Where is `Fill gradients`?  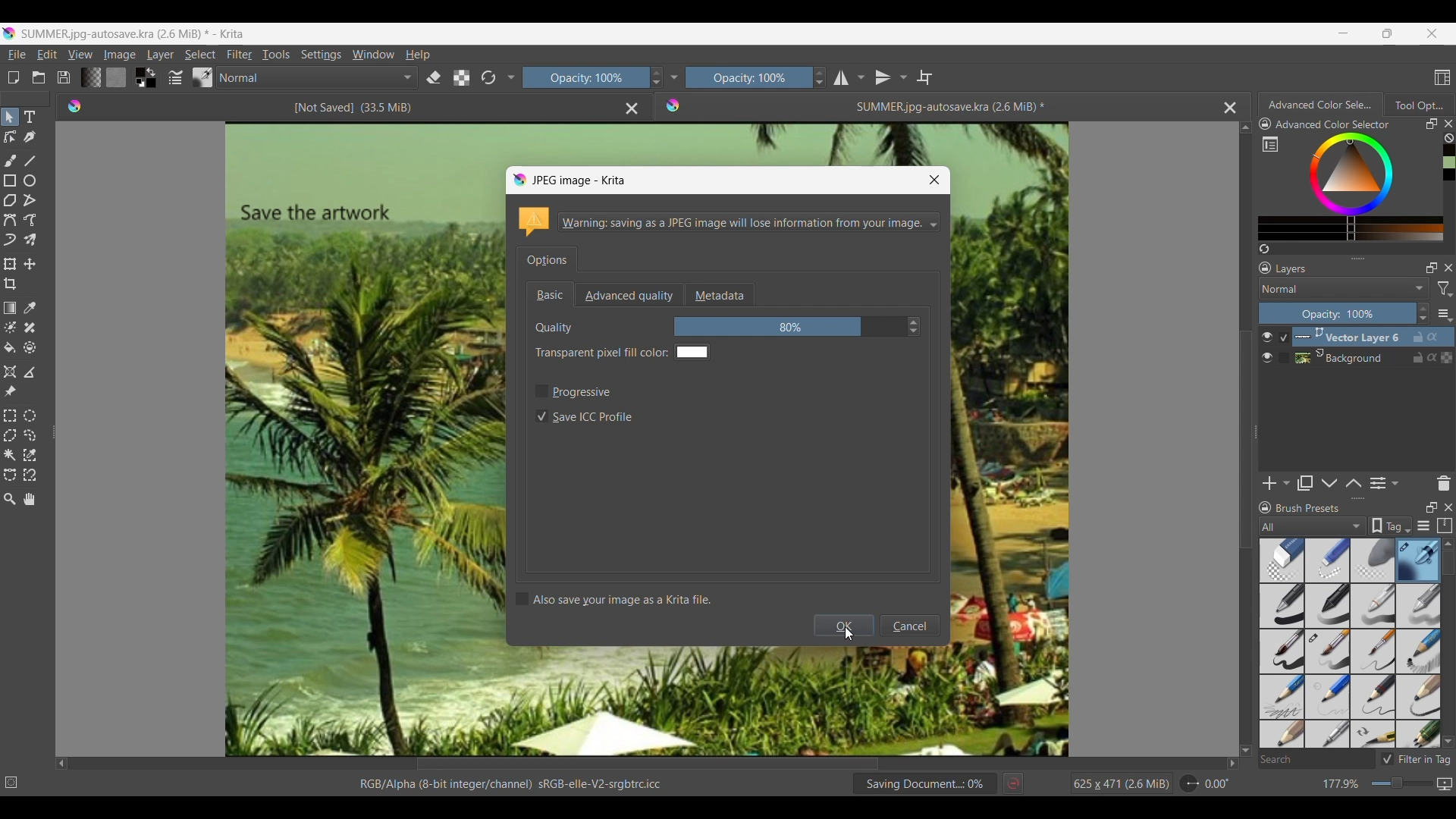
Fill gradients is located at coordinates (90, 77).